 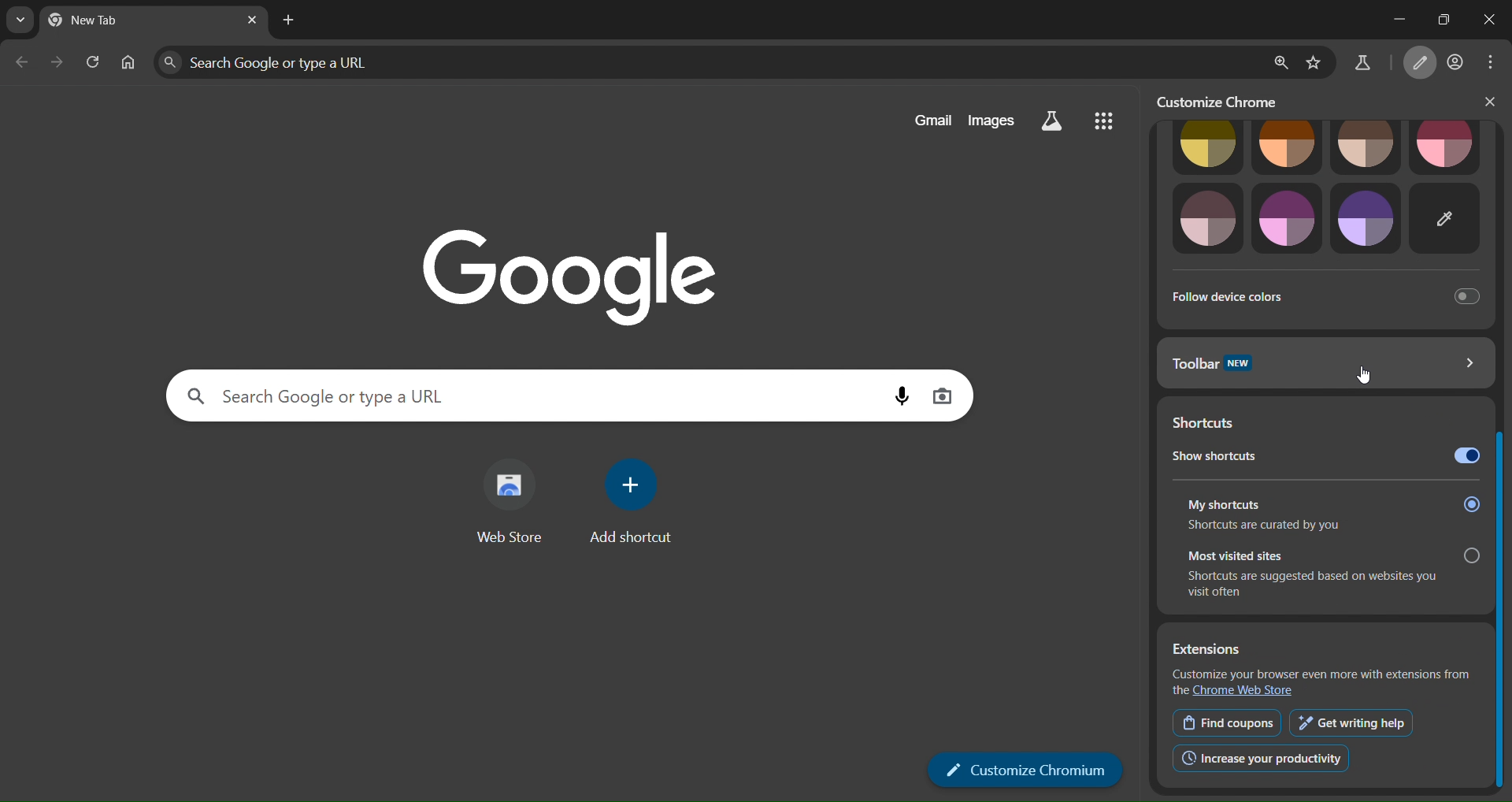 I want to click on home, so click(x=128, y=65).